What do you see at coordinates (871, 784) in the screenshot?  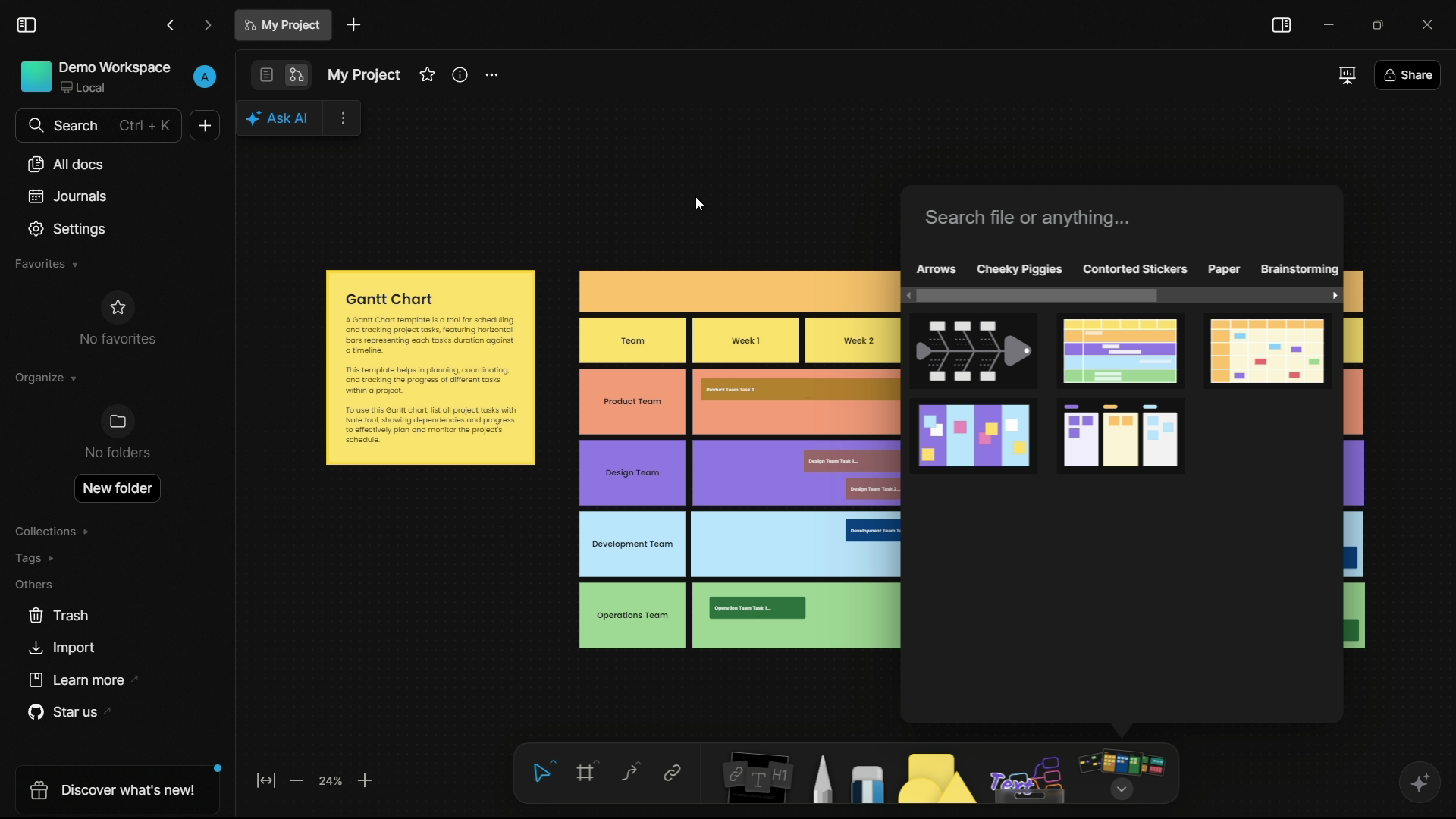 I see `eraser` at bounding box center [871, 784].